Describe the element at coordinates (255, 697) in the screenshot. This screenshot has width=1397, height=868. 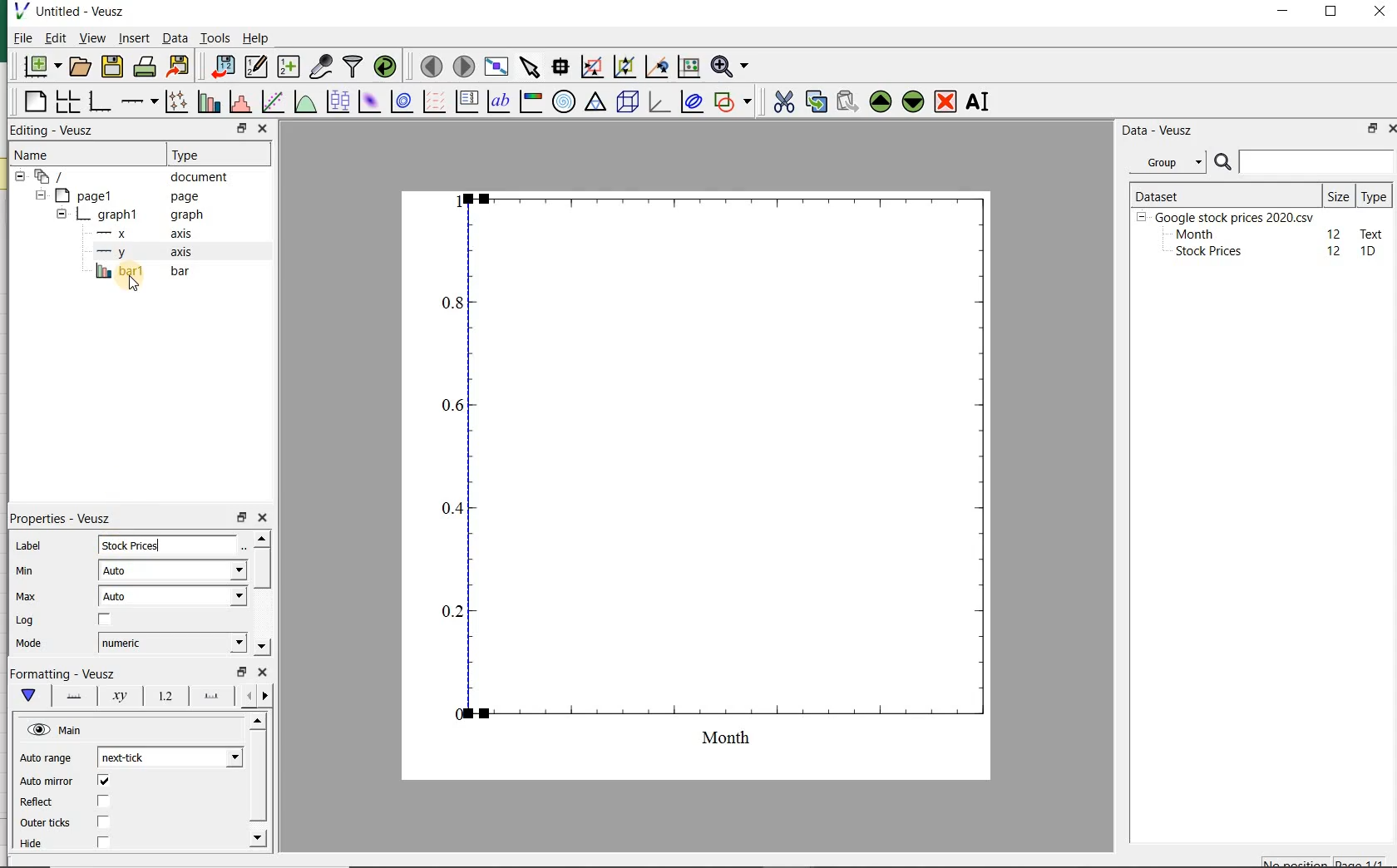
I see `minor ticks` at that location.